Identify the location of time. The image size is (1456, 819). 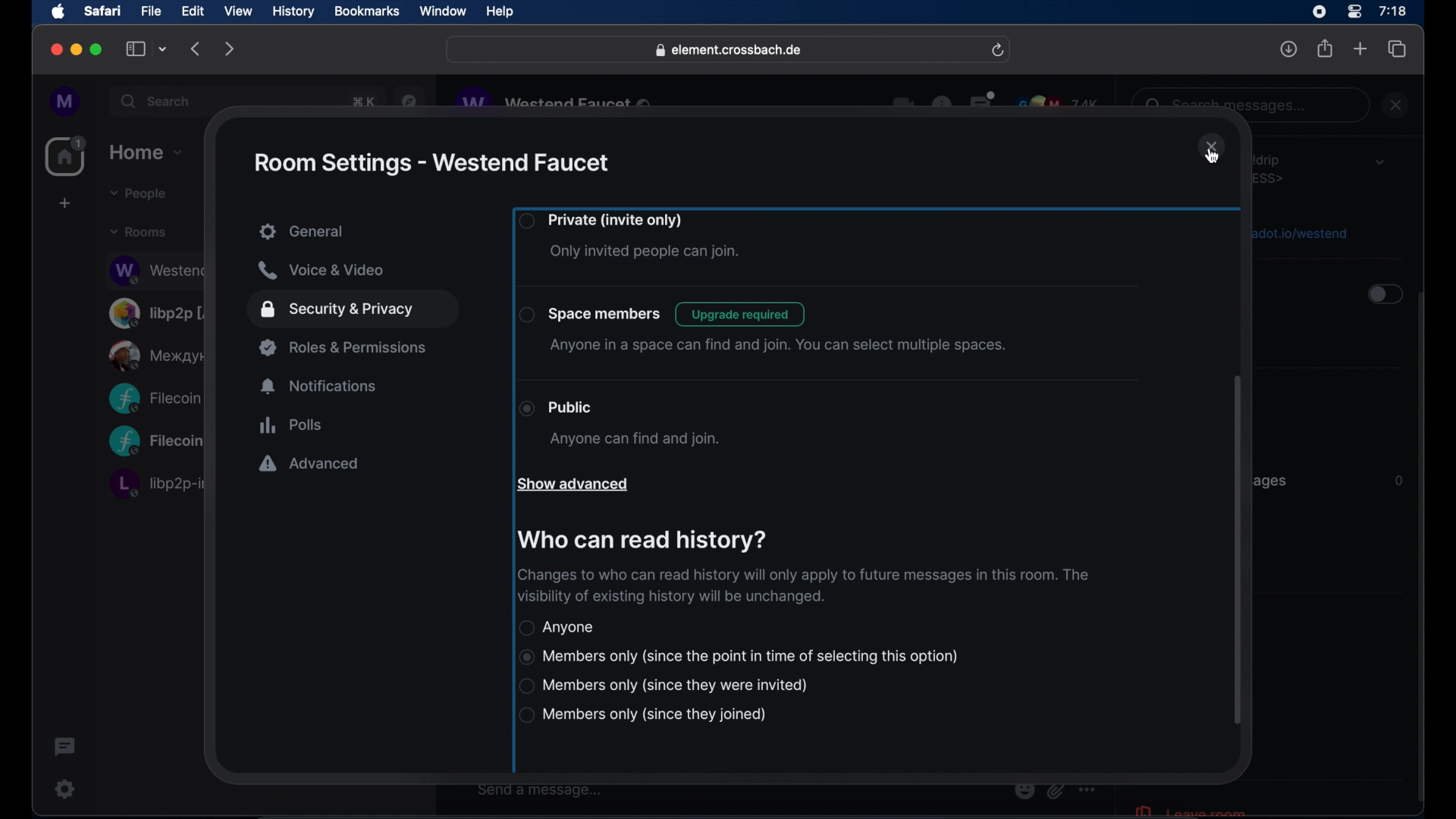
(1392, 11).